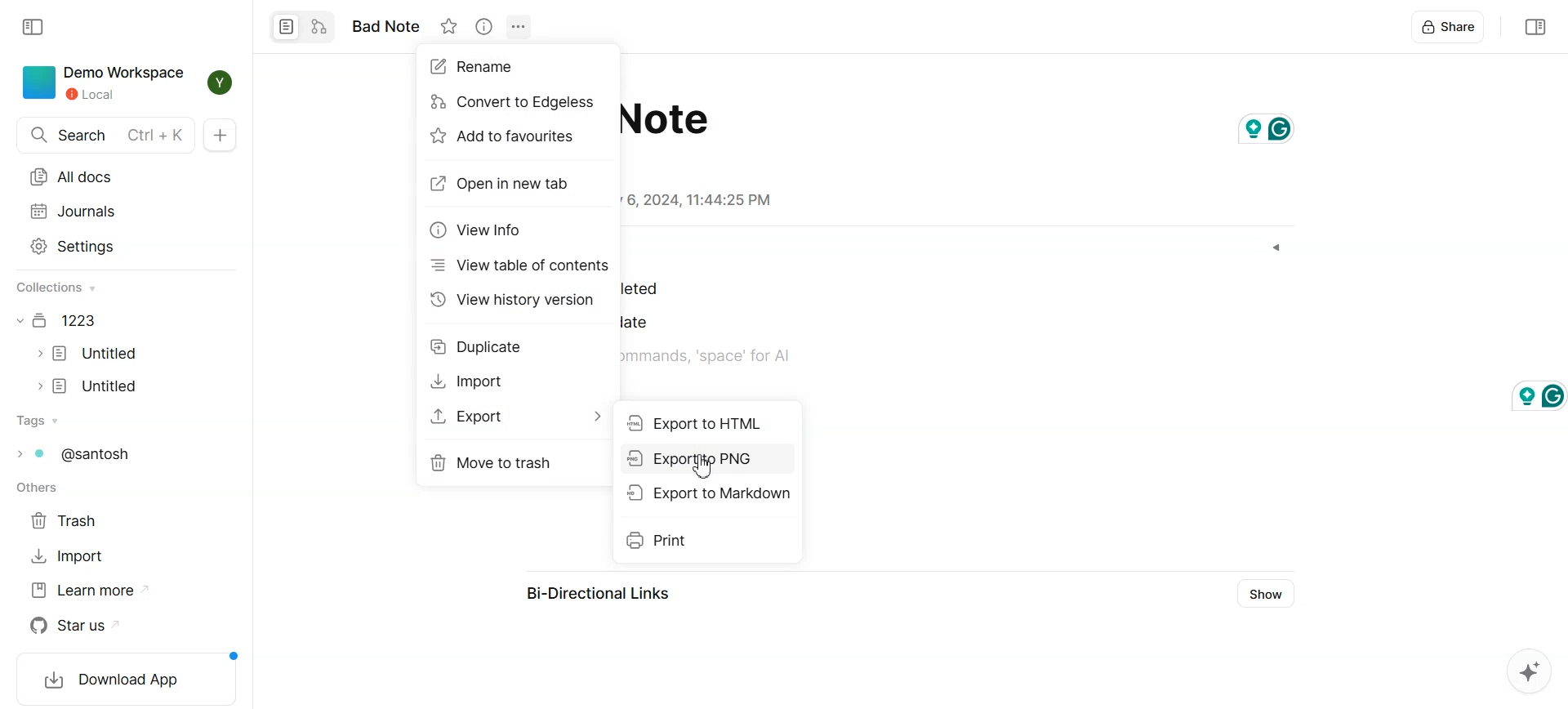  I want to click on New Doc, so click(221, 136).